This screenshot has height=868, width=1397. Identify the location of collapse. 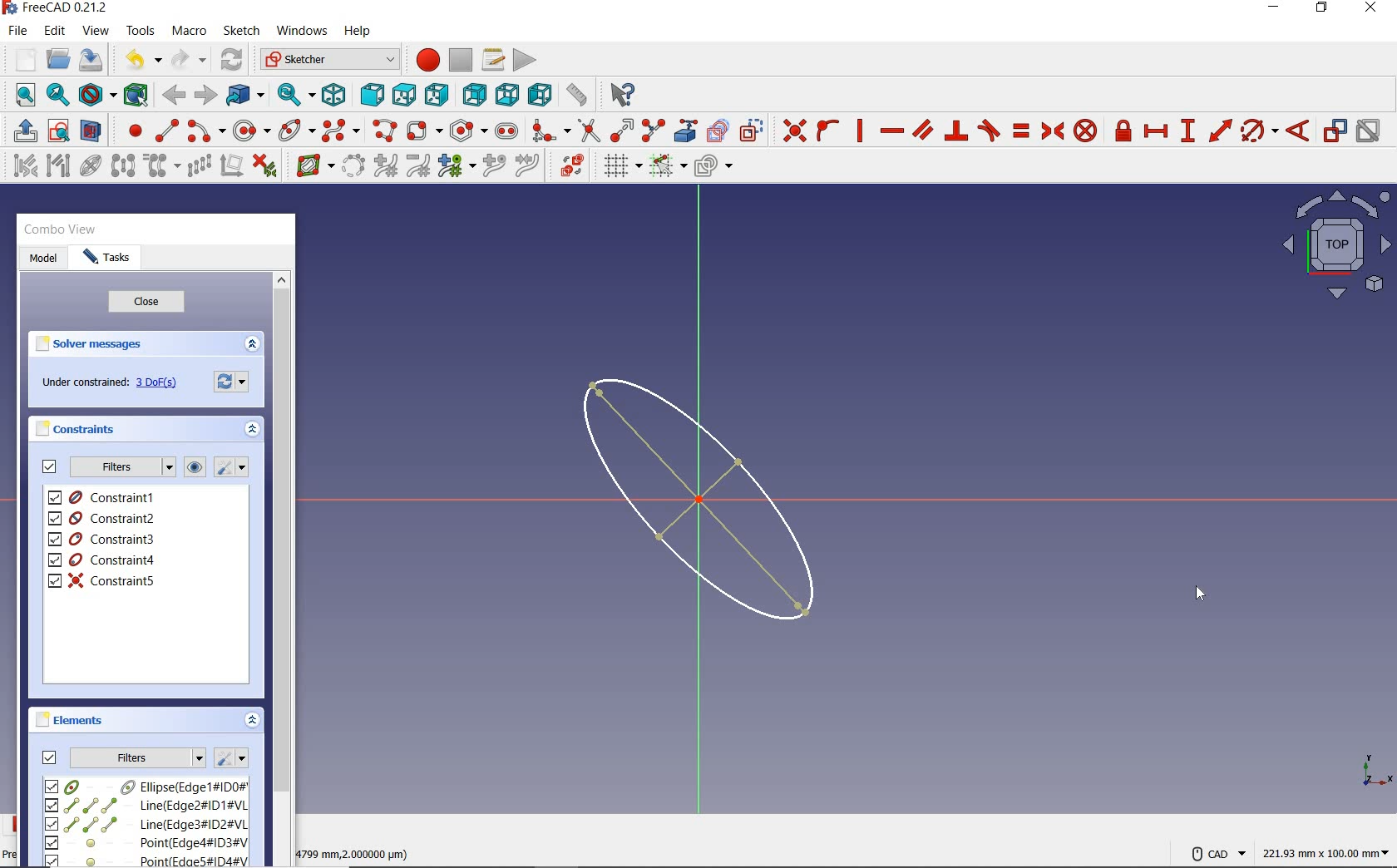
(253, 722).